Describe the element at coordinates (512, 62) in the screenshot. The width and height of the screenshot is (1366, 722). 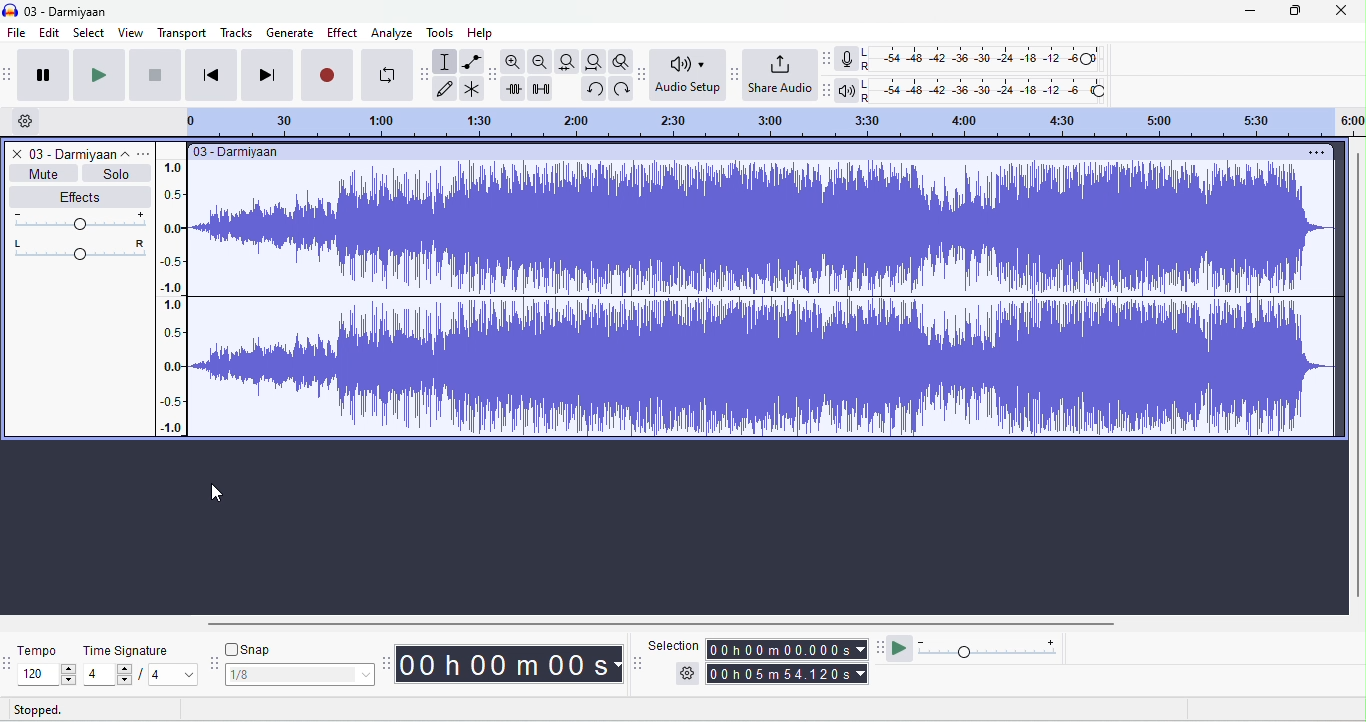
I see `zoom in` at that location.